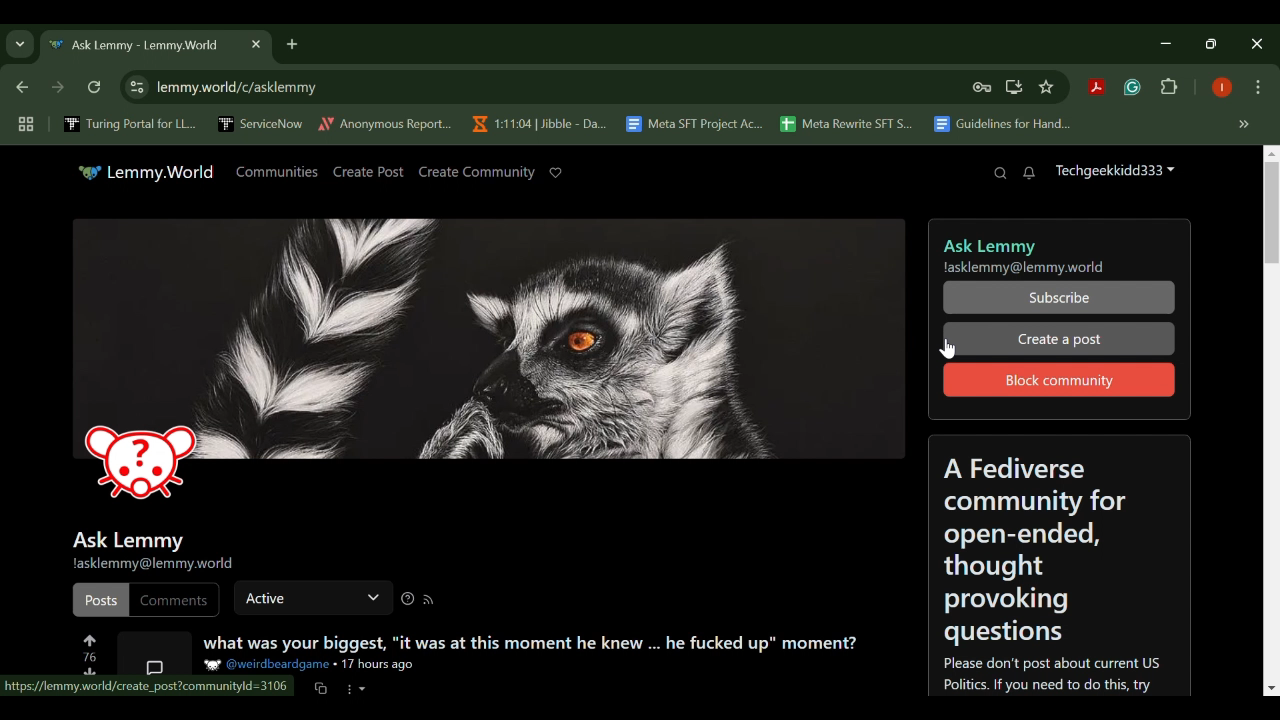  Describe the element at coordinates (1170, 43) in the screenshot. I see `Restore Down` at that location.